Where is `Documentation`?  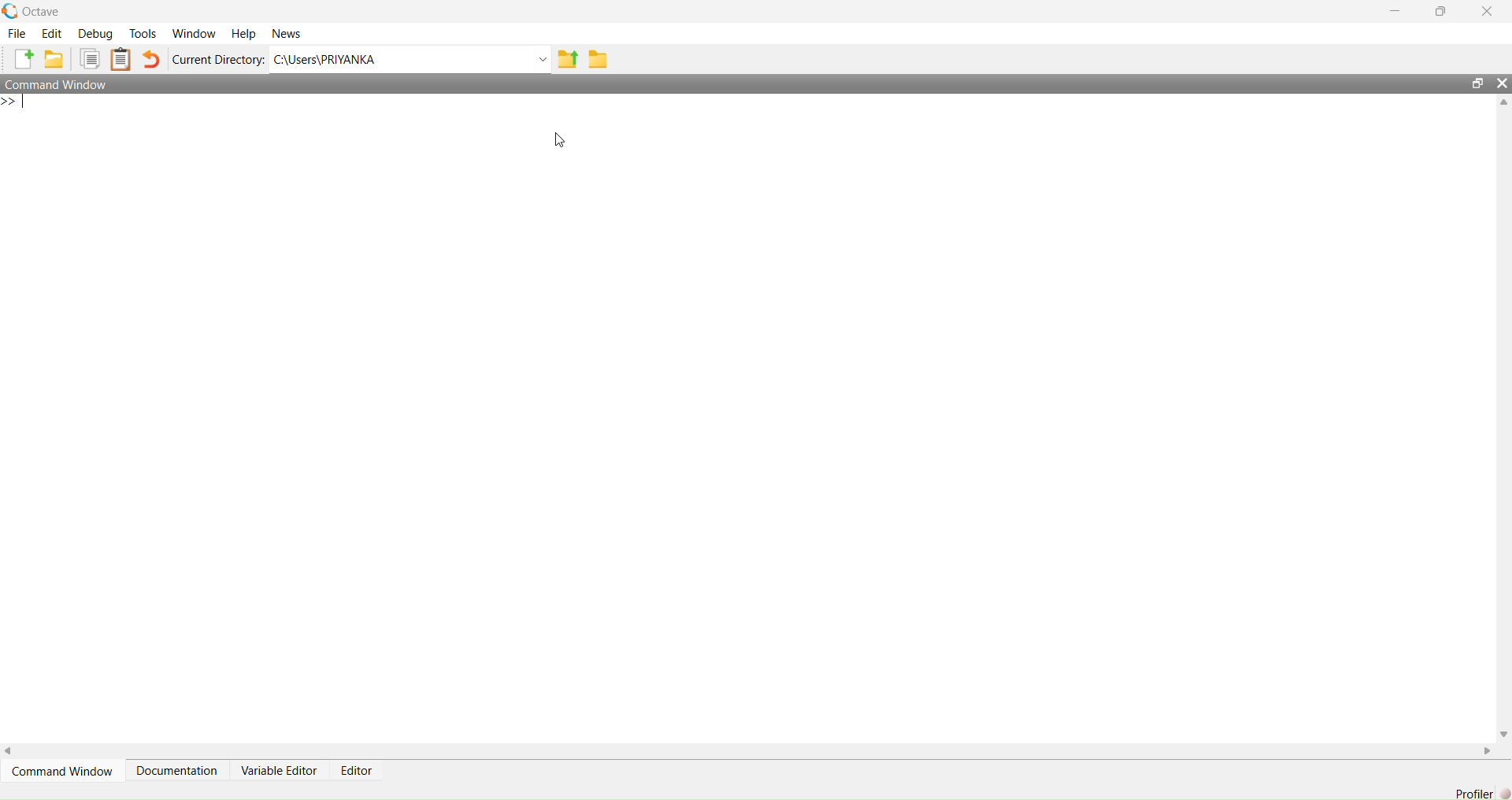
Documentation is located at coordinates (177, 771).